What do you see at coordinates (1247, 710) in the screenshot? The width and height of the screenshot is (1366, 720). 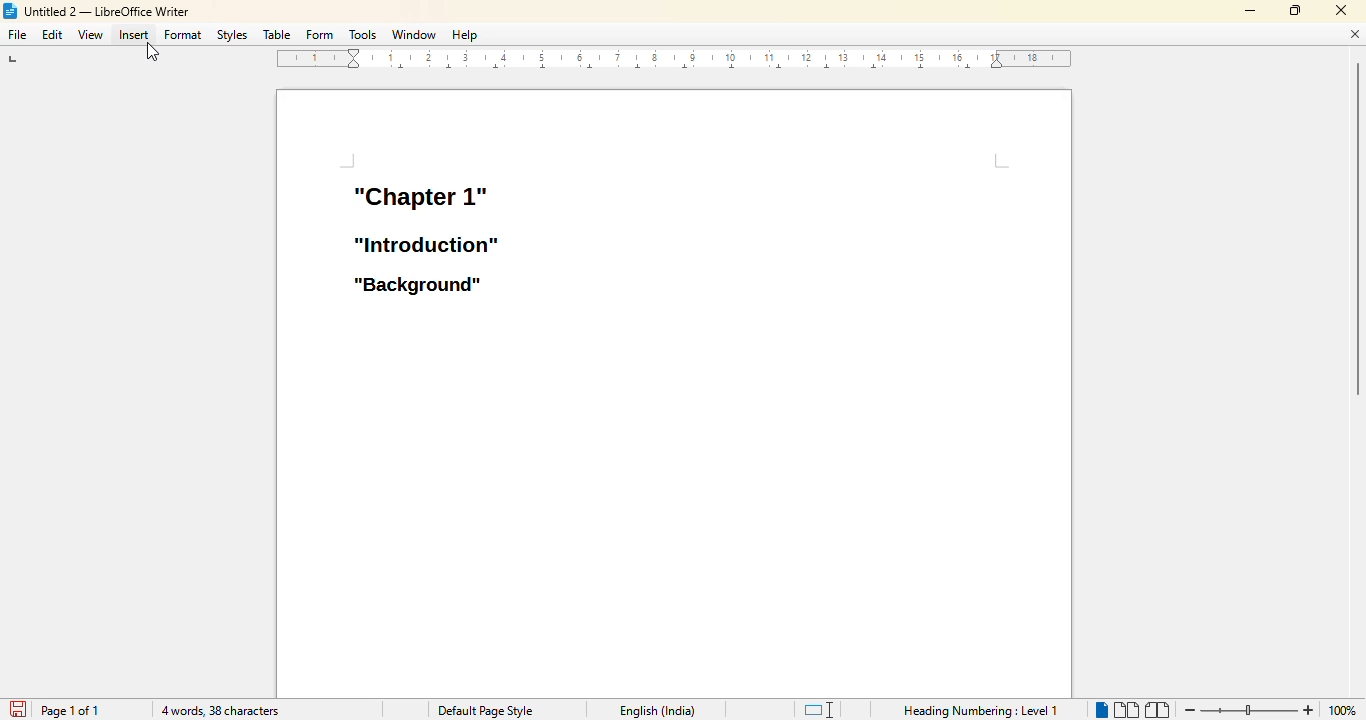 I see `zoom` at bounding box center [1247, 710].